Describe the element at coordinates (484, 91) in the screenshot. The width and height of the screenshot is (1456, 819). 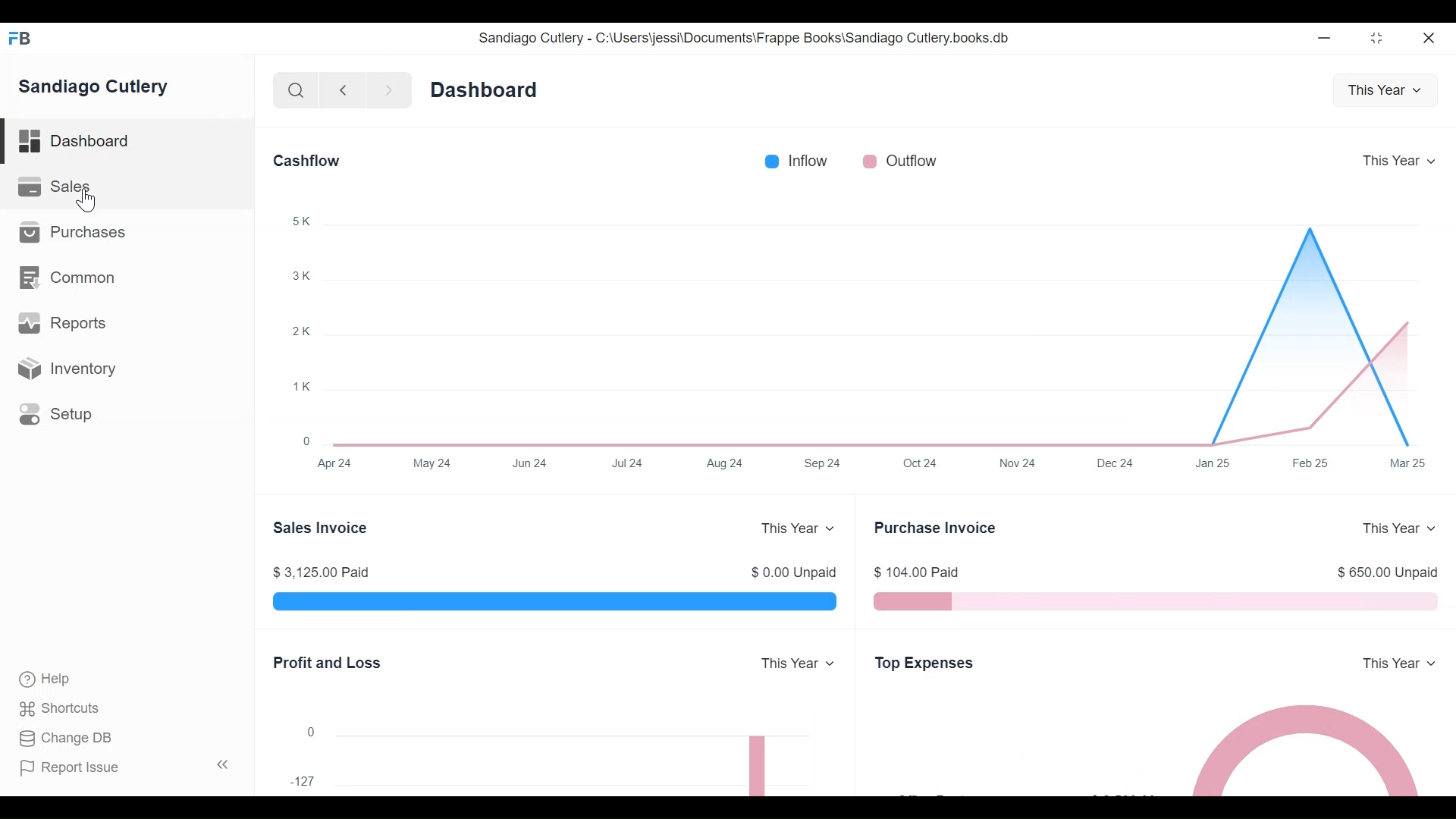
I see `Dashboard` at that location.